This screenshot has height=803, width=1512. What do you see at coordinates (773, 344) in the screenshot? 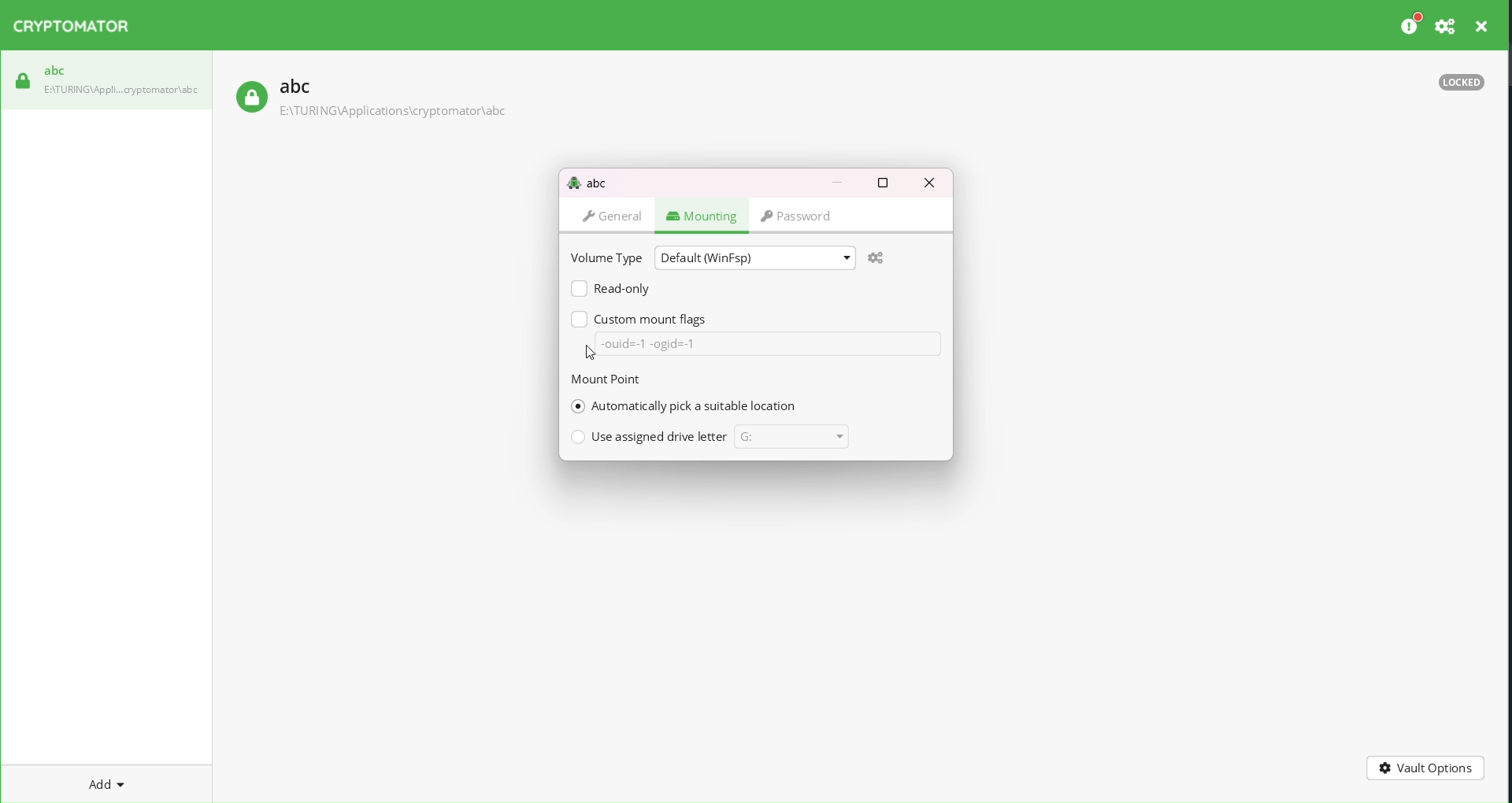
I see `data` at bounding box center [773, 344].